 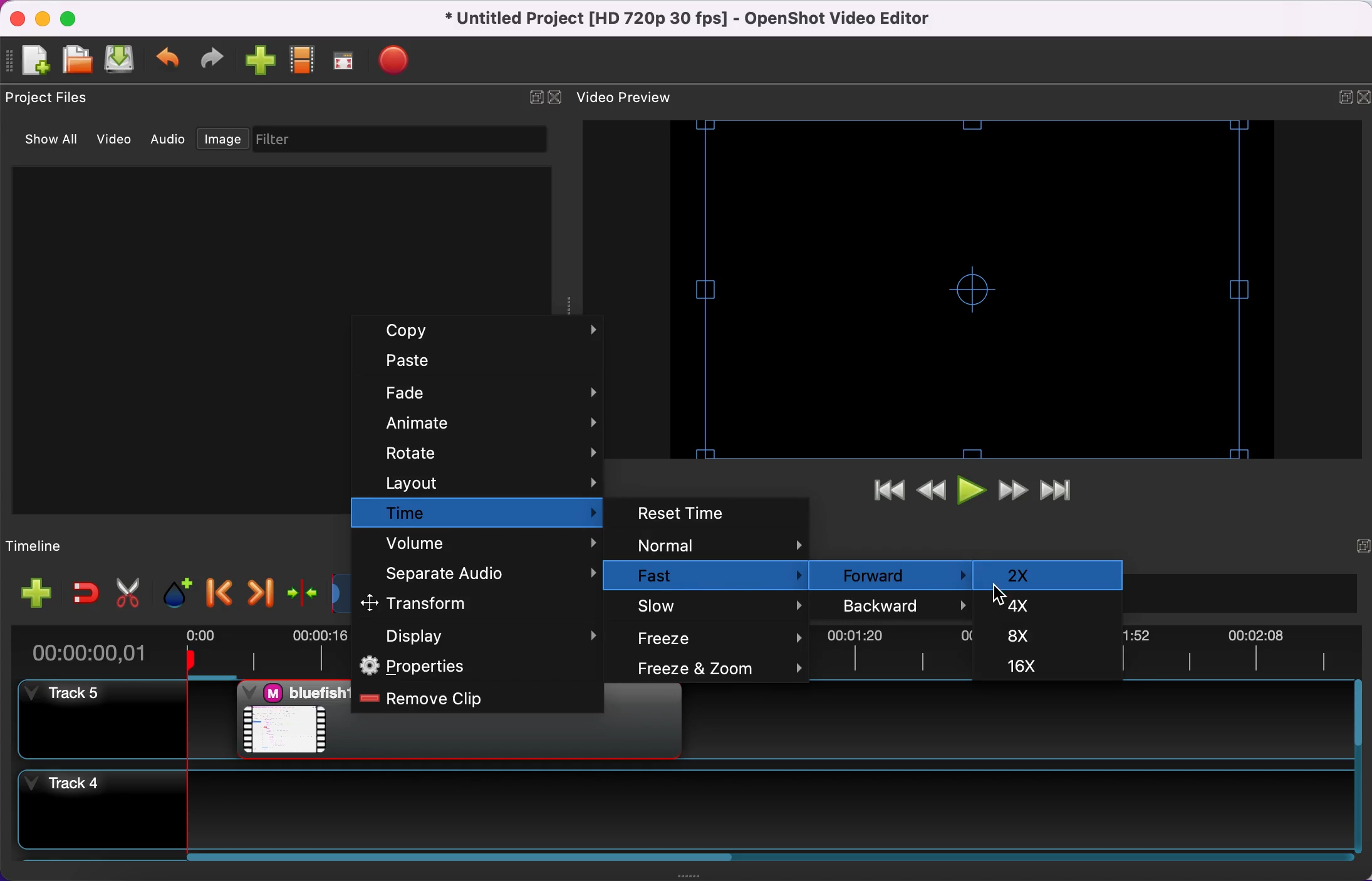 I want to click on filter, so click(x=397, y=140).